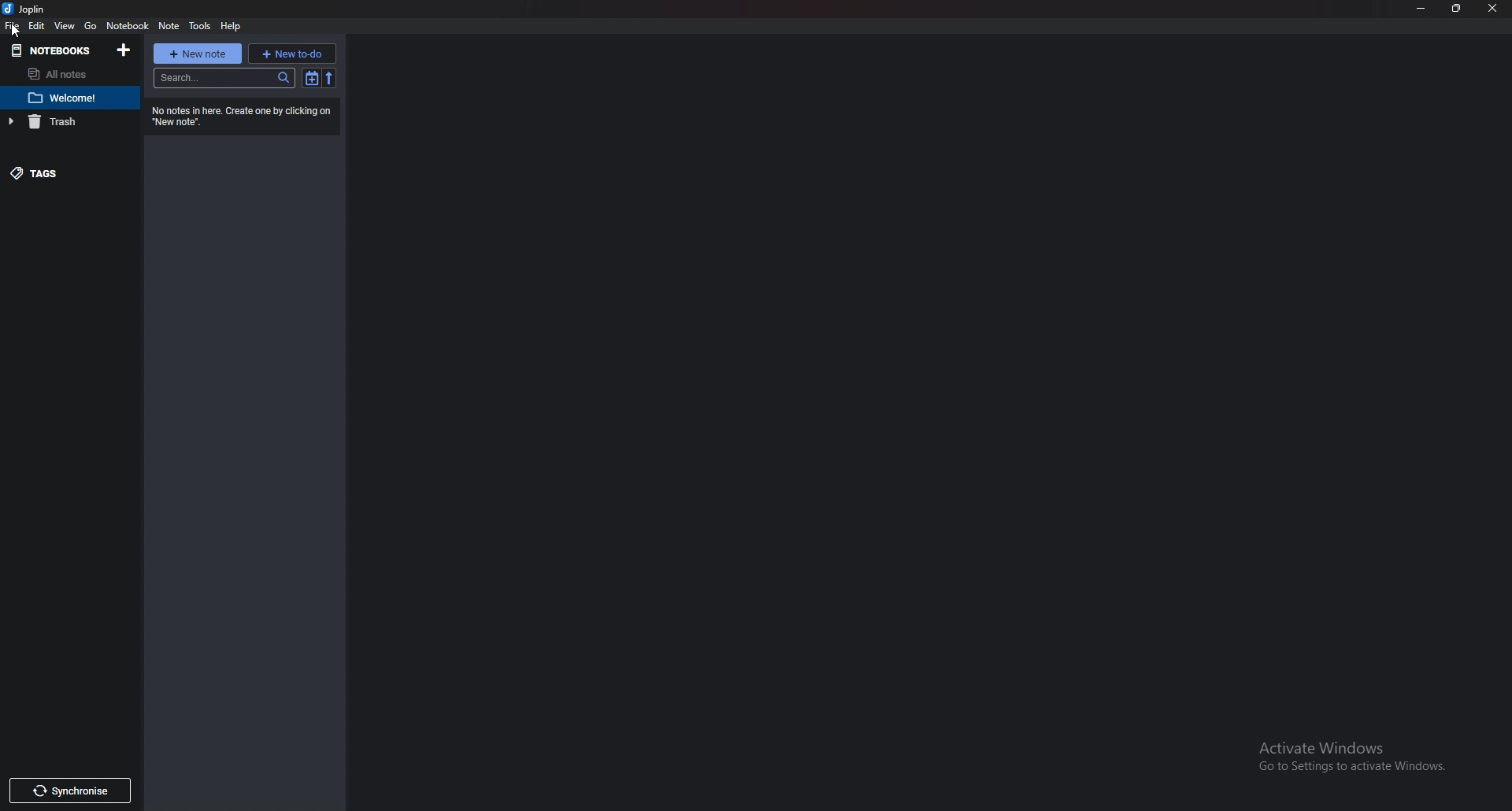 This screenshot has width=1512, height=811. Describe the element at coordinates (124, 50) in the screenshot. I see `Add notebooks` at that location.